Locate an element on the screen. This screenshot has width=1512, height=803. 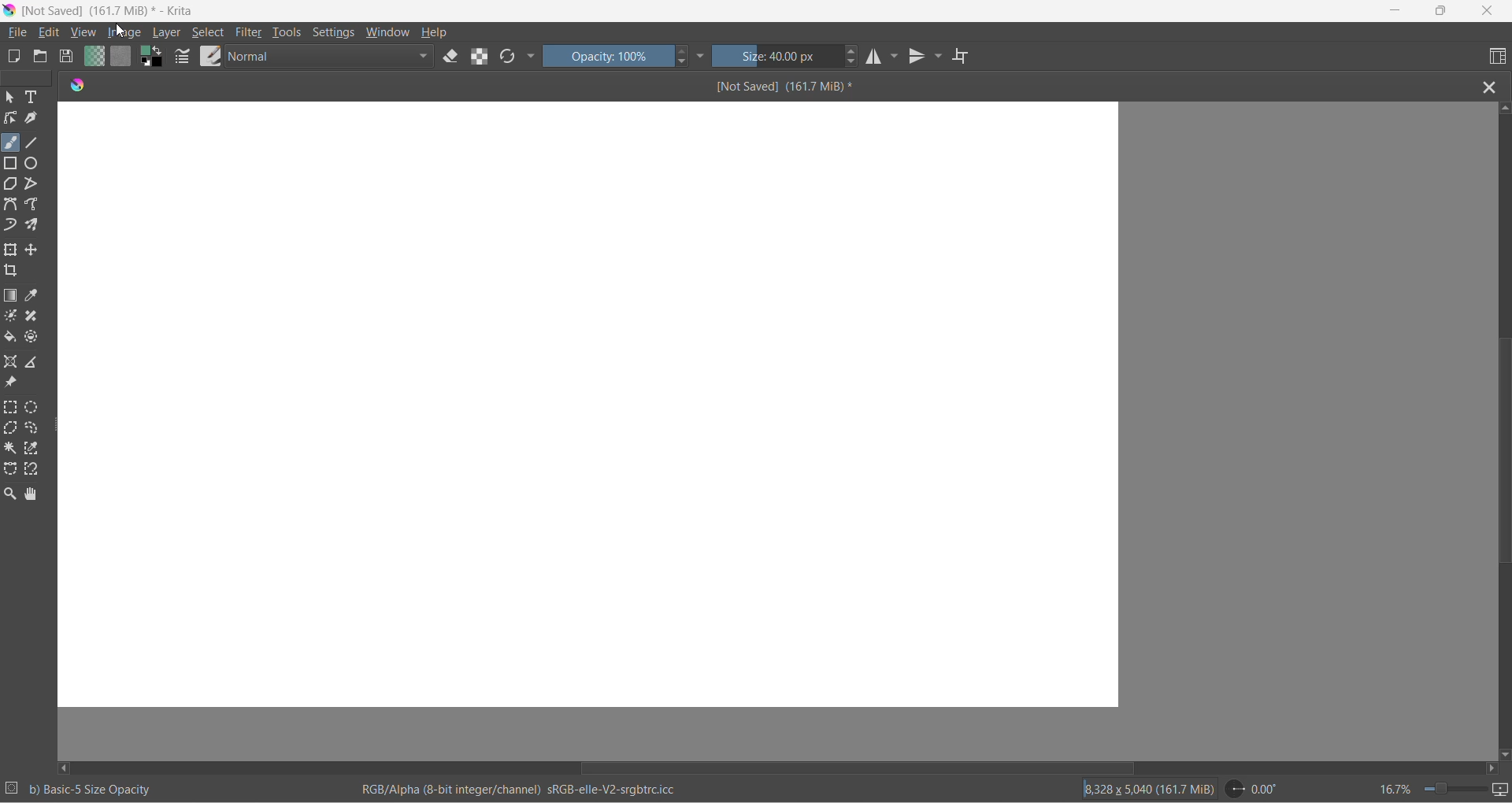
set eraser tool is located at coordinates (451, 56).